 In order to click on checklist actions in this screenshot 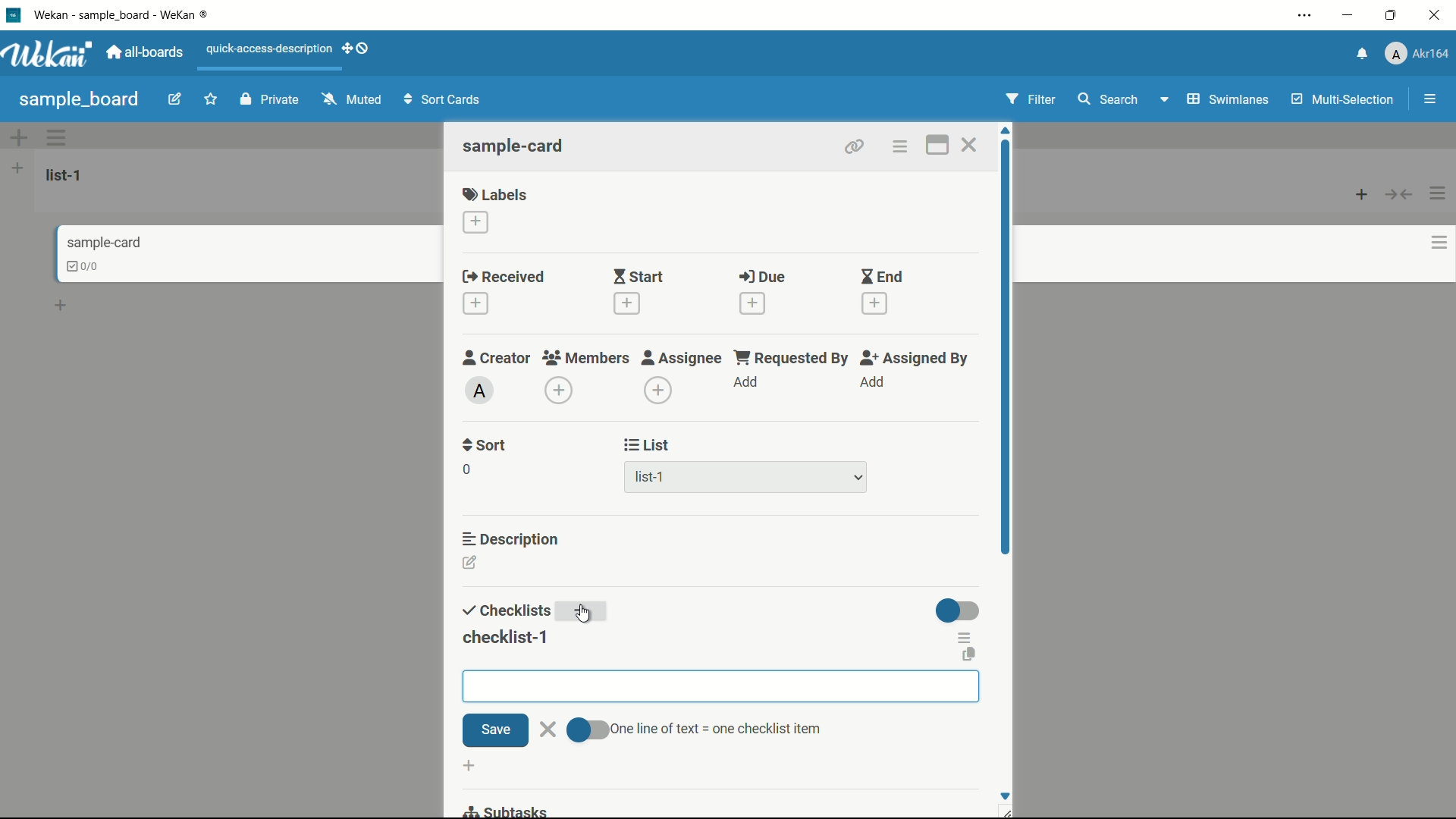, I will do `click(965, 637)`.